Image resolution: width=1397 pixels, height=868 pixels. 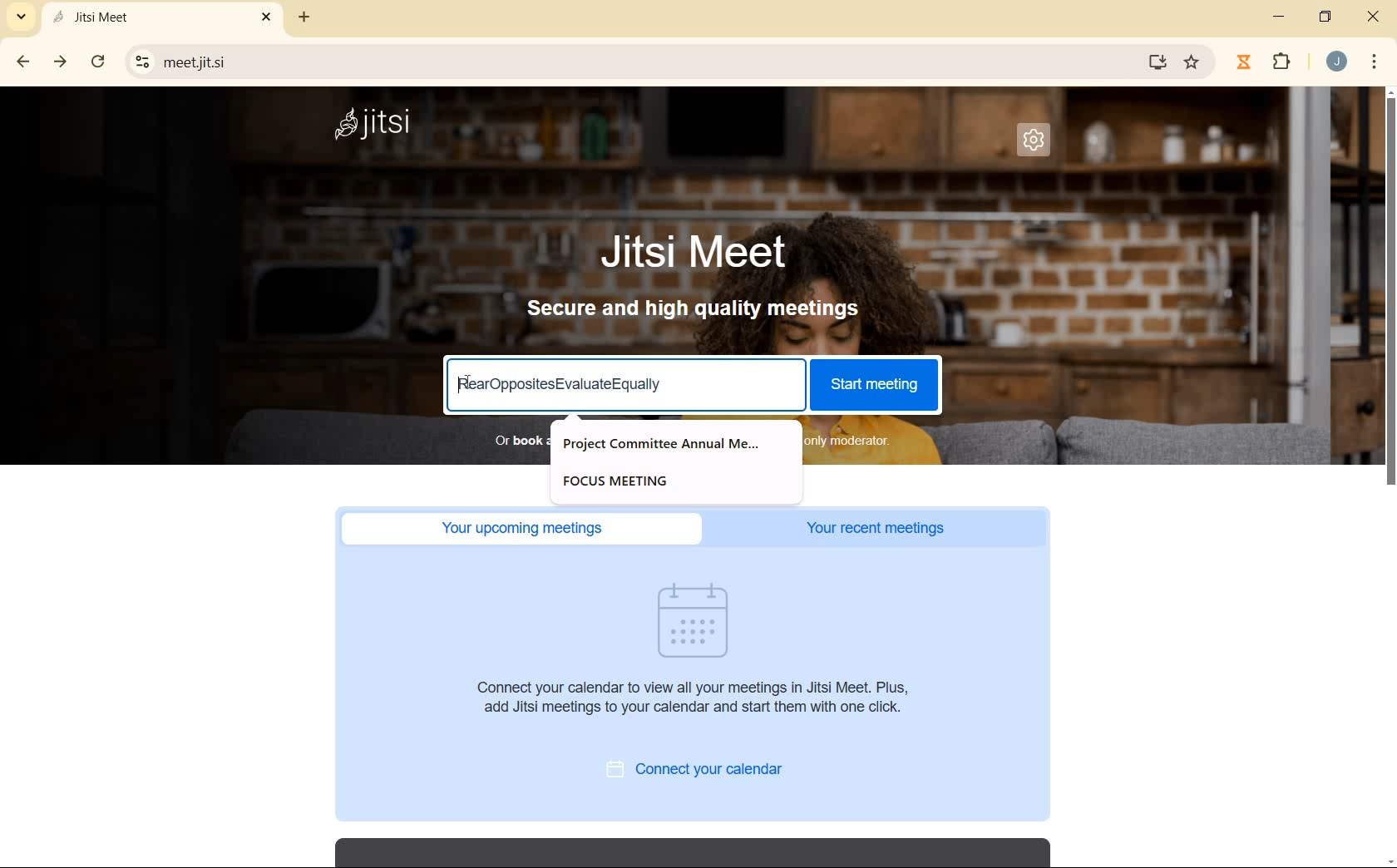 I want to click on CLOSE, so click(x=1373, y=18).